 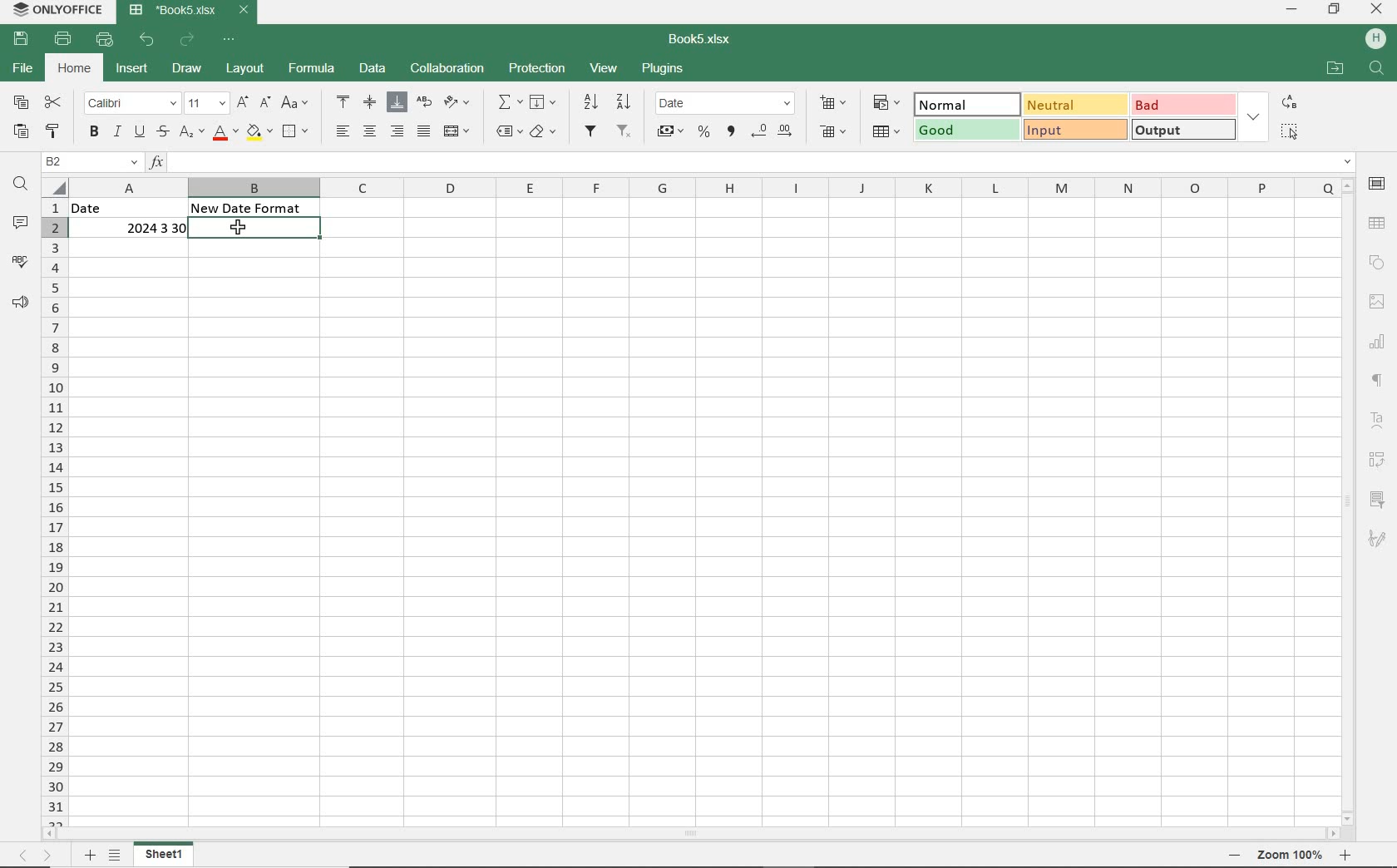 What do you see at coordinates (752, 161) in the screenshot?
I see `INPUT FUNCTION` at bounding box center [752, 161].